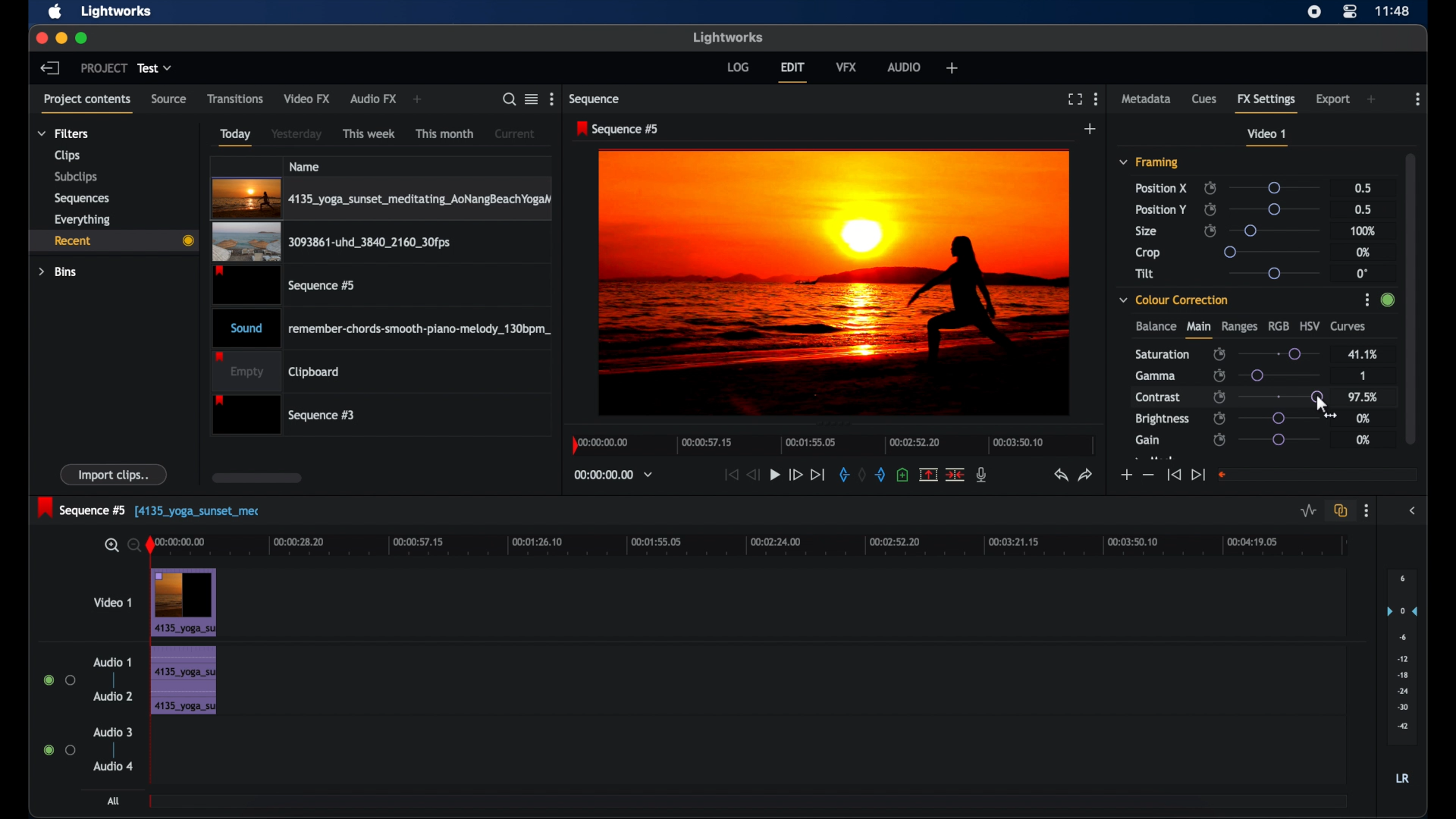 The height and width of the screenshot is (819, 1456). I want to click on project contents, so click(89, 102).